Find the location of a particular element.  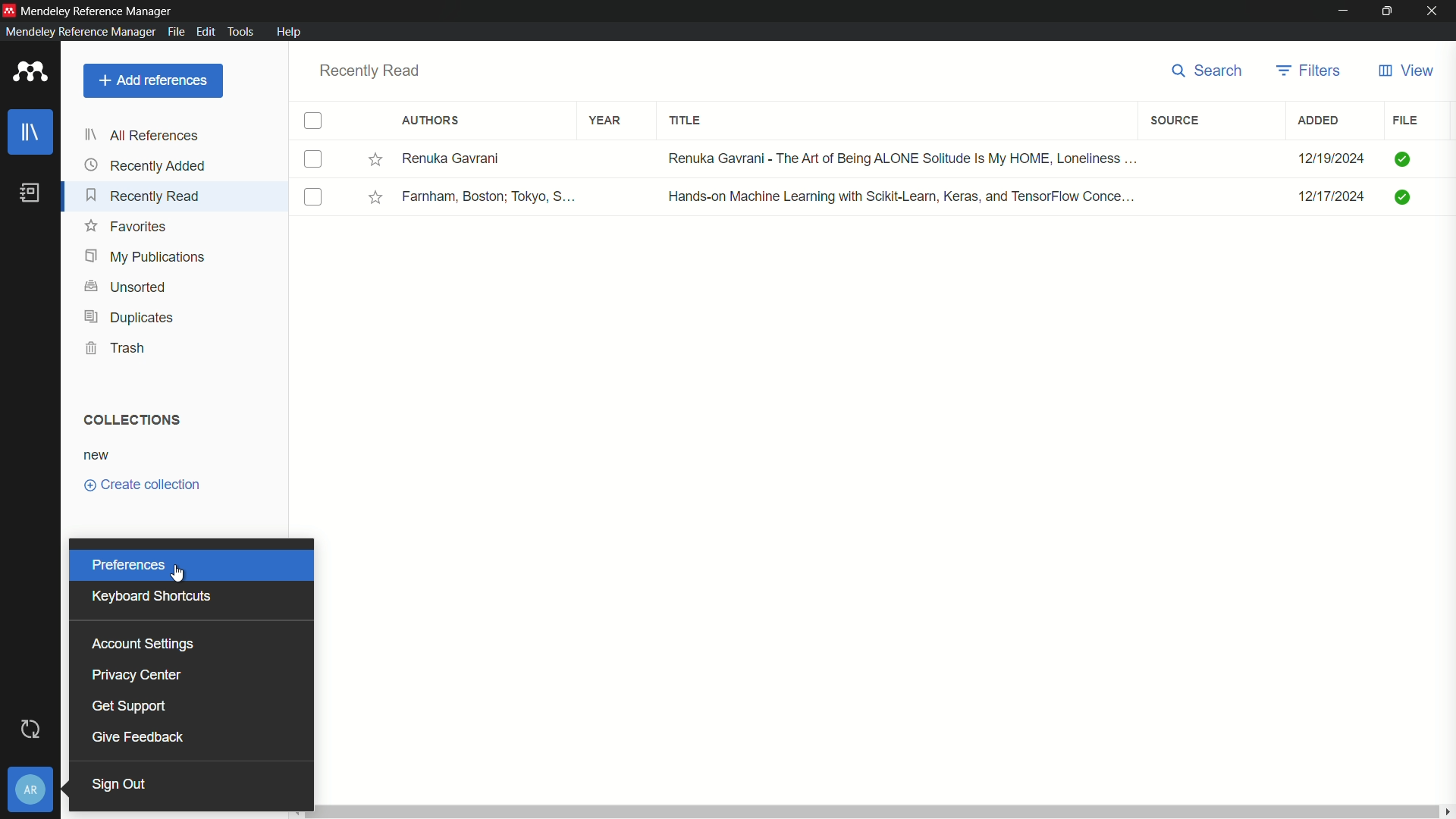

book is located at coordinates (29, 193).